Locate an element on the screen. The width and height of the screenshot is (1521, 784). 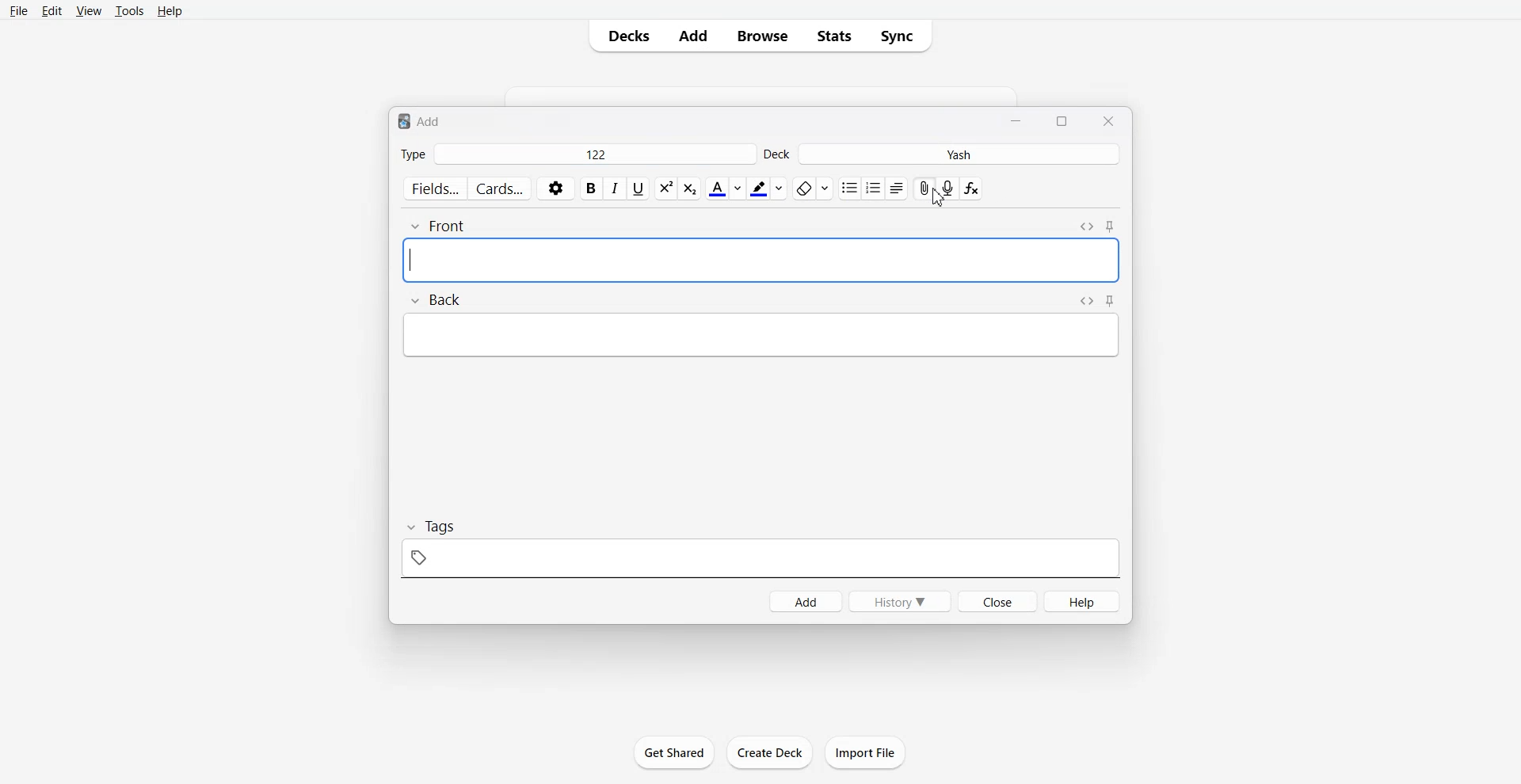
Highlight text color is located at coordinates (766, 188).